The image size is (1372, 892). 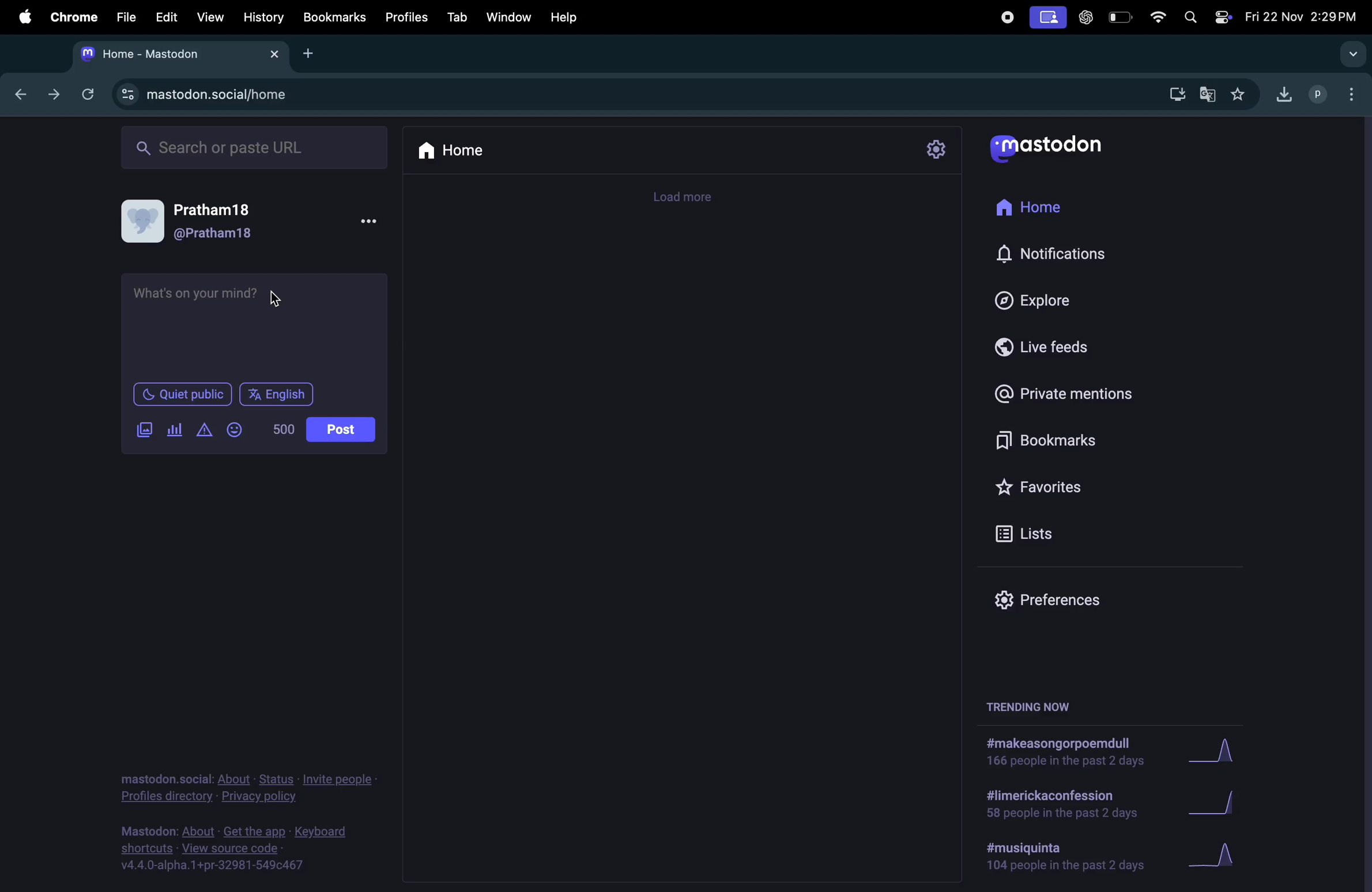 I want to click on search bar, so click(x=251, y=145).